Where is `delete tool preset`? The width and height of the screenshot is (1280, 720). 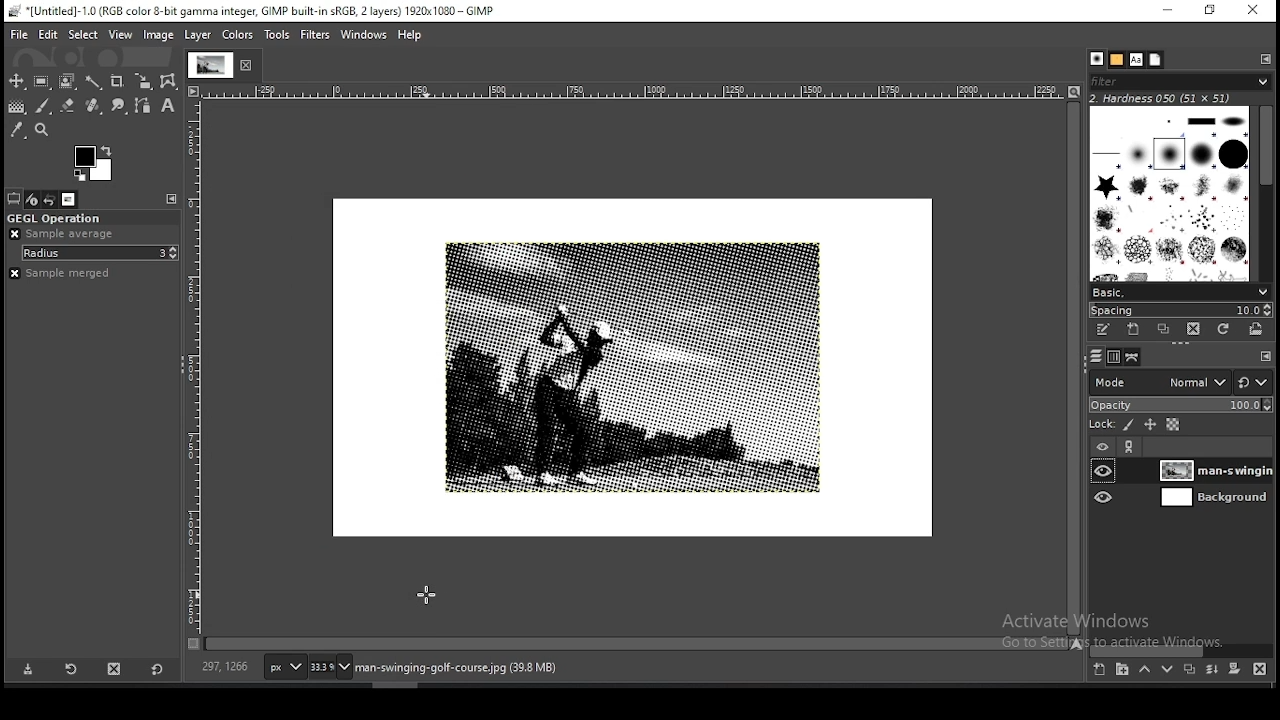 delete tool preset is located at coordinates (113, 669).